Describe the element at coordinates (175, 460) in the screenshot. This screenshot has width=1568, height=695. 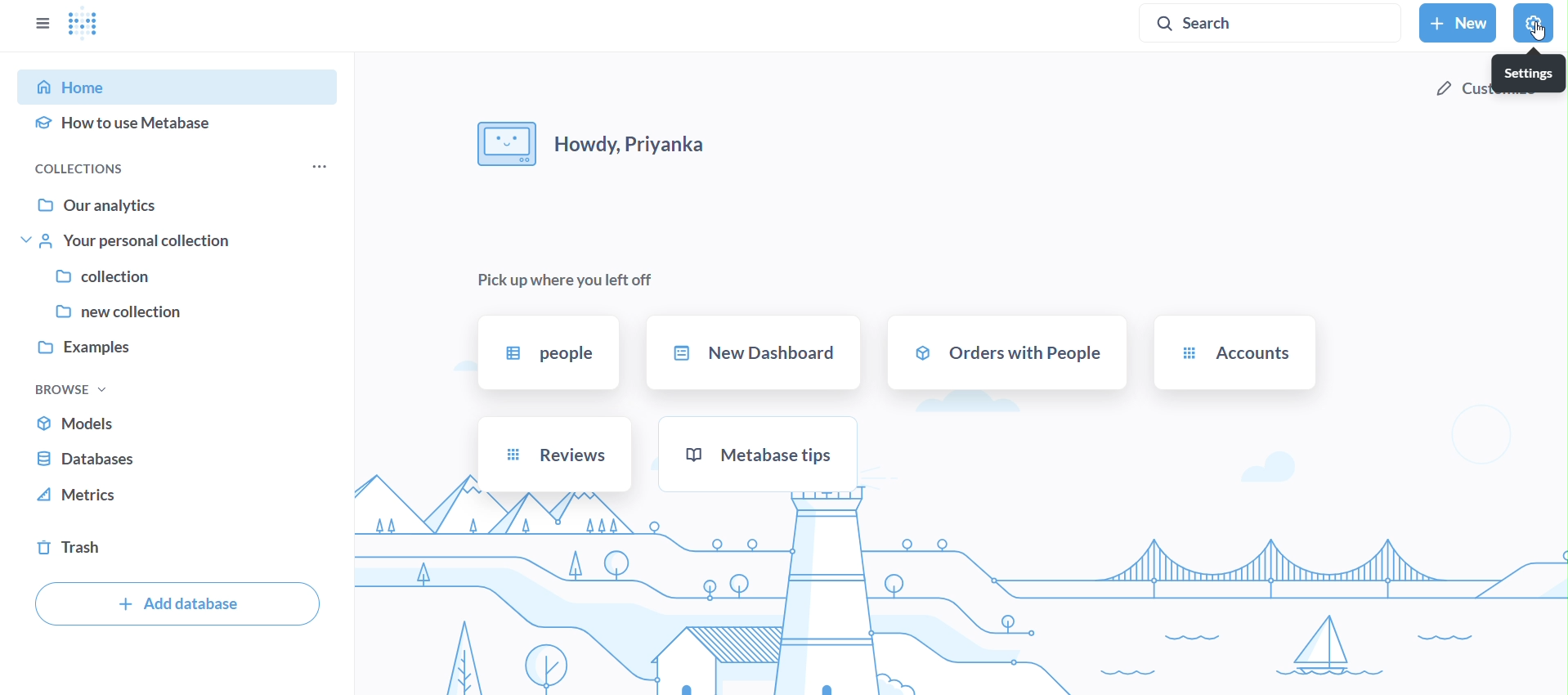
I see `database` at that location.